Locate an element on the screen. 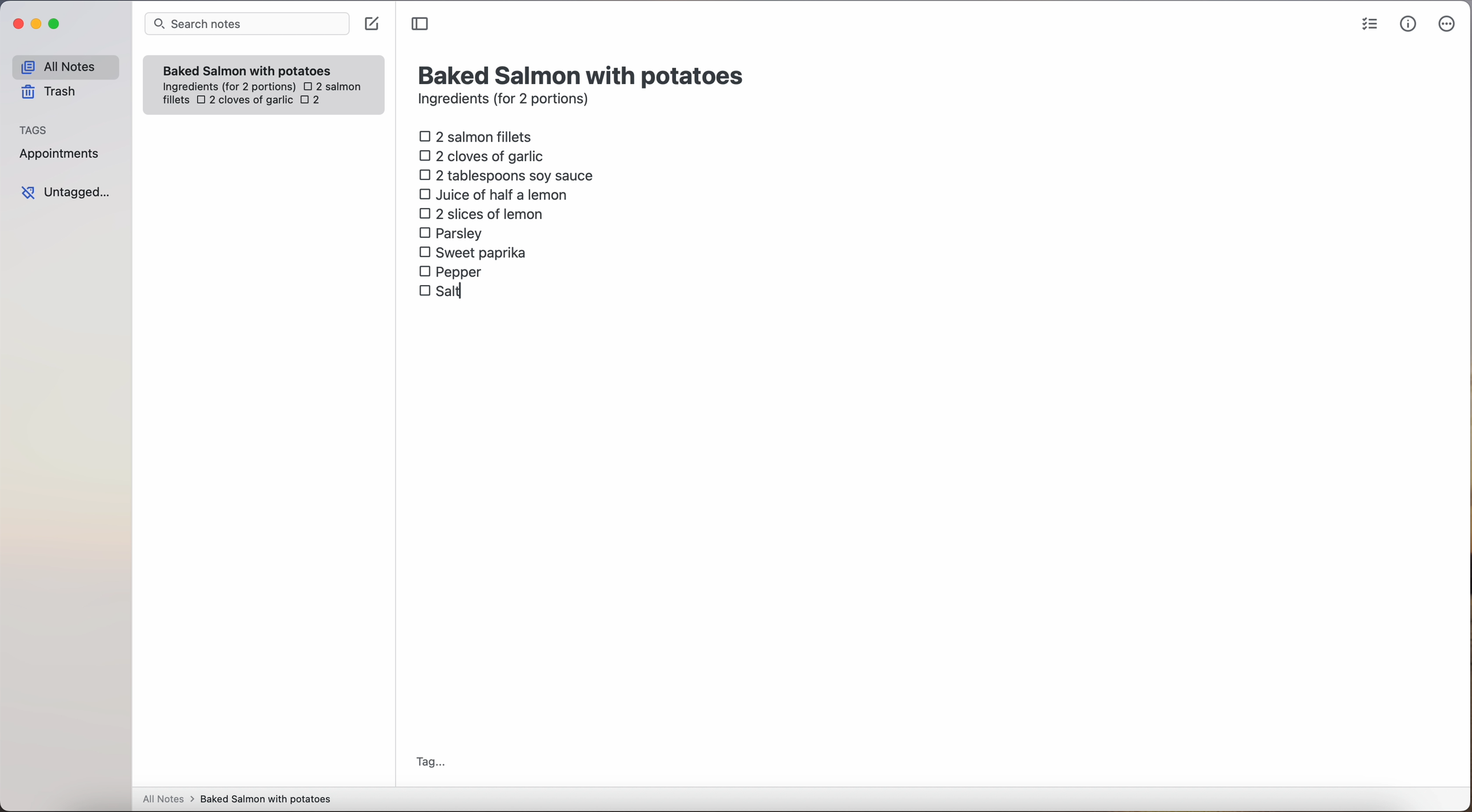  ingredients (for 2 portions) is located at coordinates (507, 101).